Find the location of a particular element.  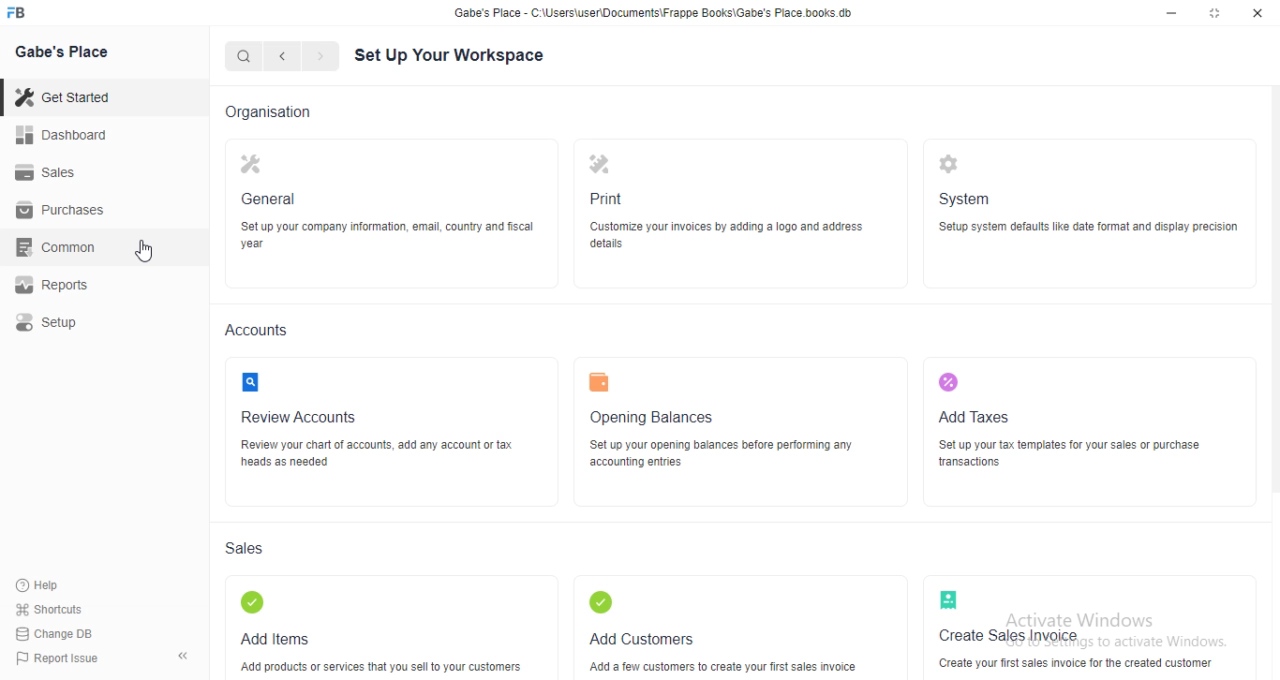

Print is located at coordinates (613, 201).